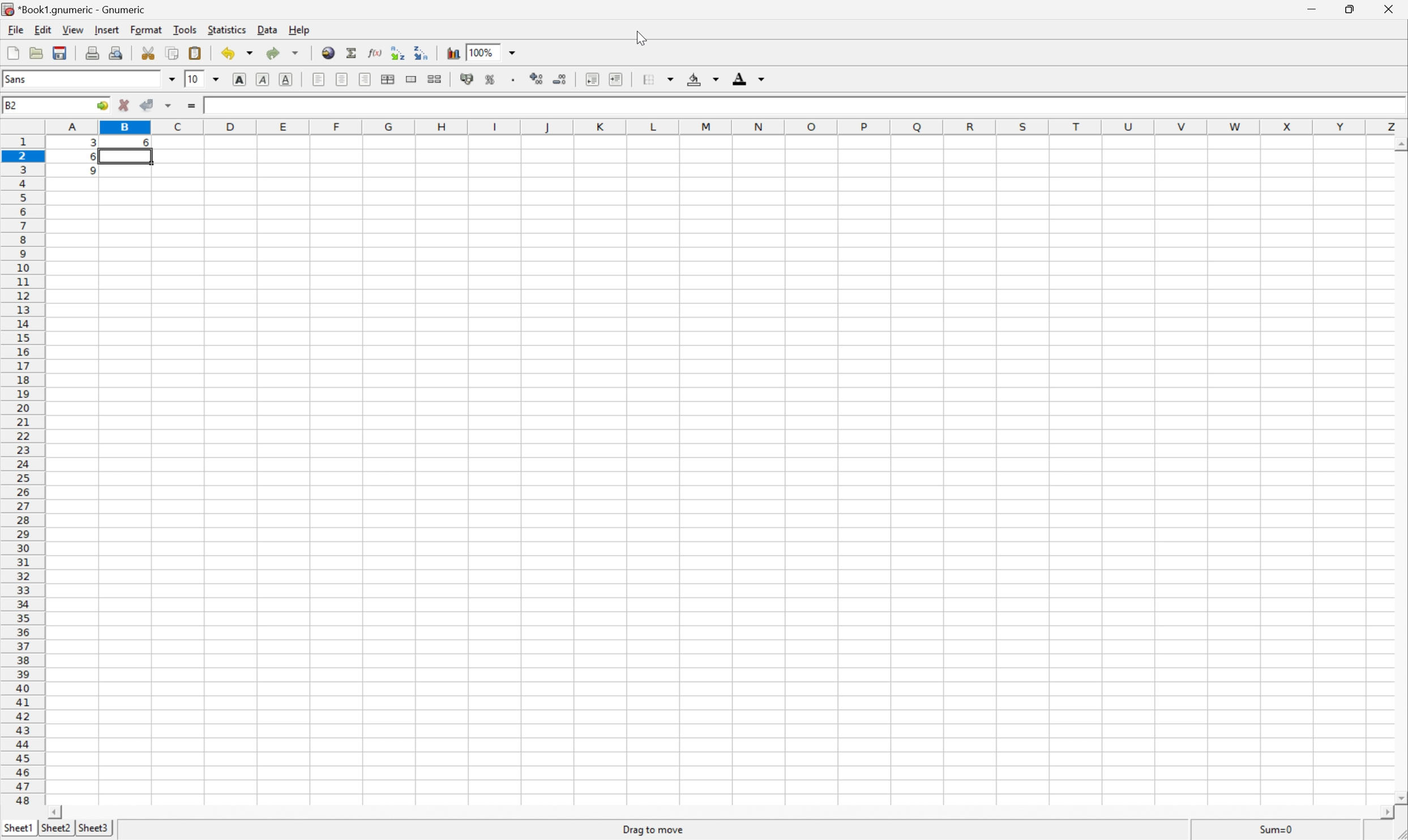 The image size is (1408, 840). What do you see at coordinates (93, 828) in the screenshot?
I see `Sheet3` at bounding box center [93, 828].